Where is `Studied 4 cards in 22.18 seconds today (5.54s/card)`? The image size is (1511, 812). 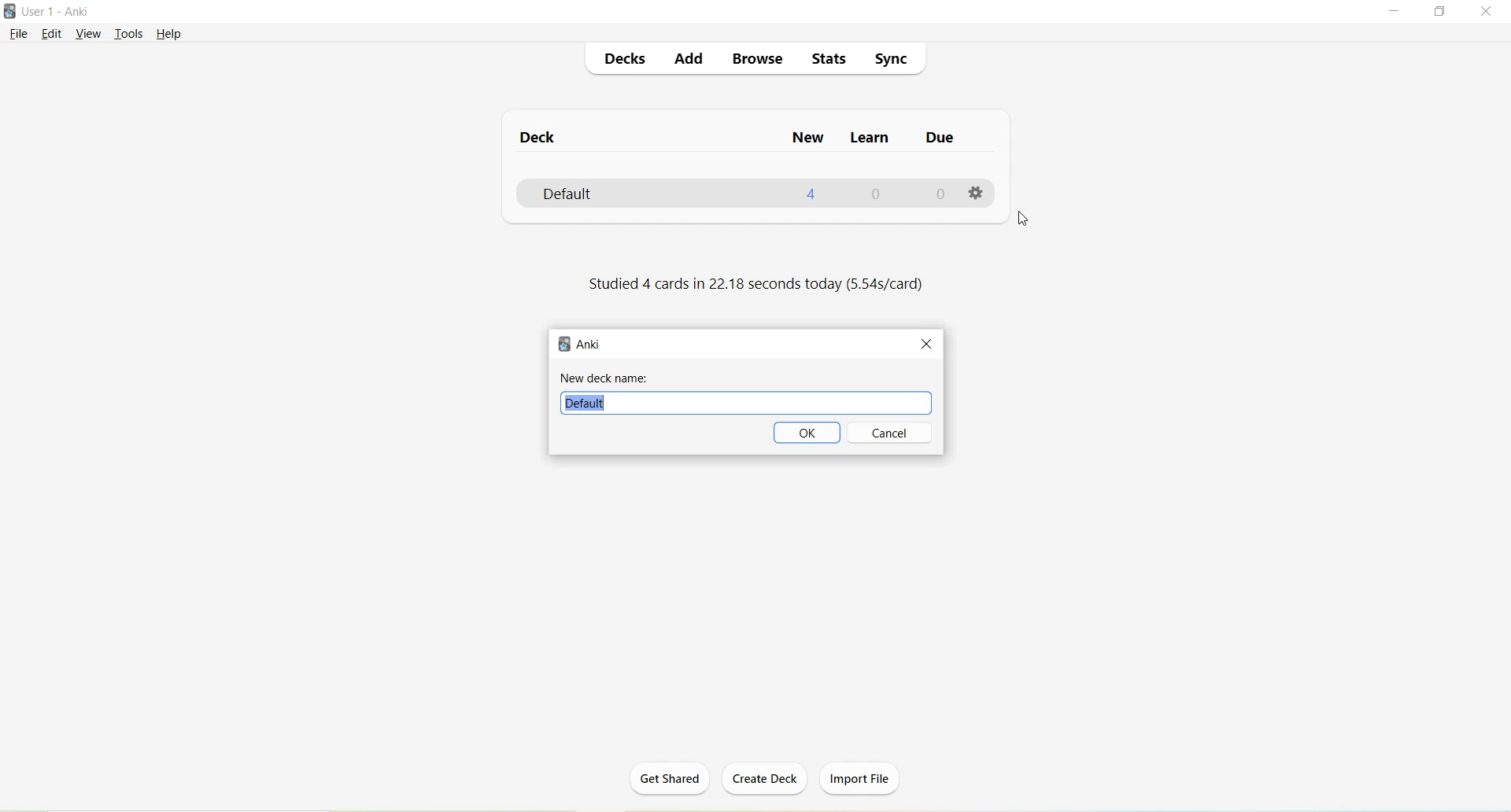 Studied 4 cards in 22.18 seconds today (5.54s/card) is located at coordinates (754, 285).